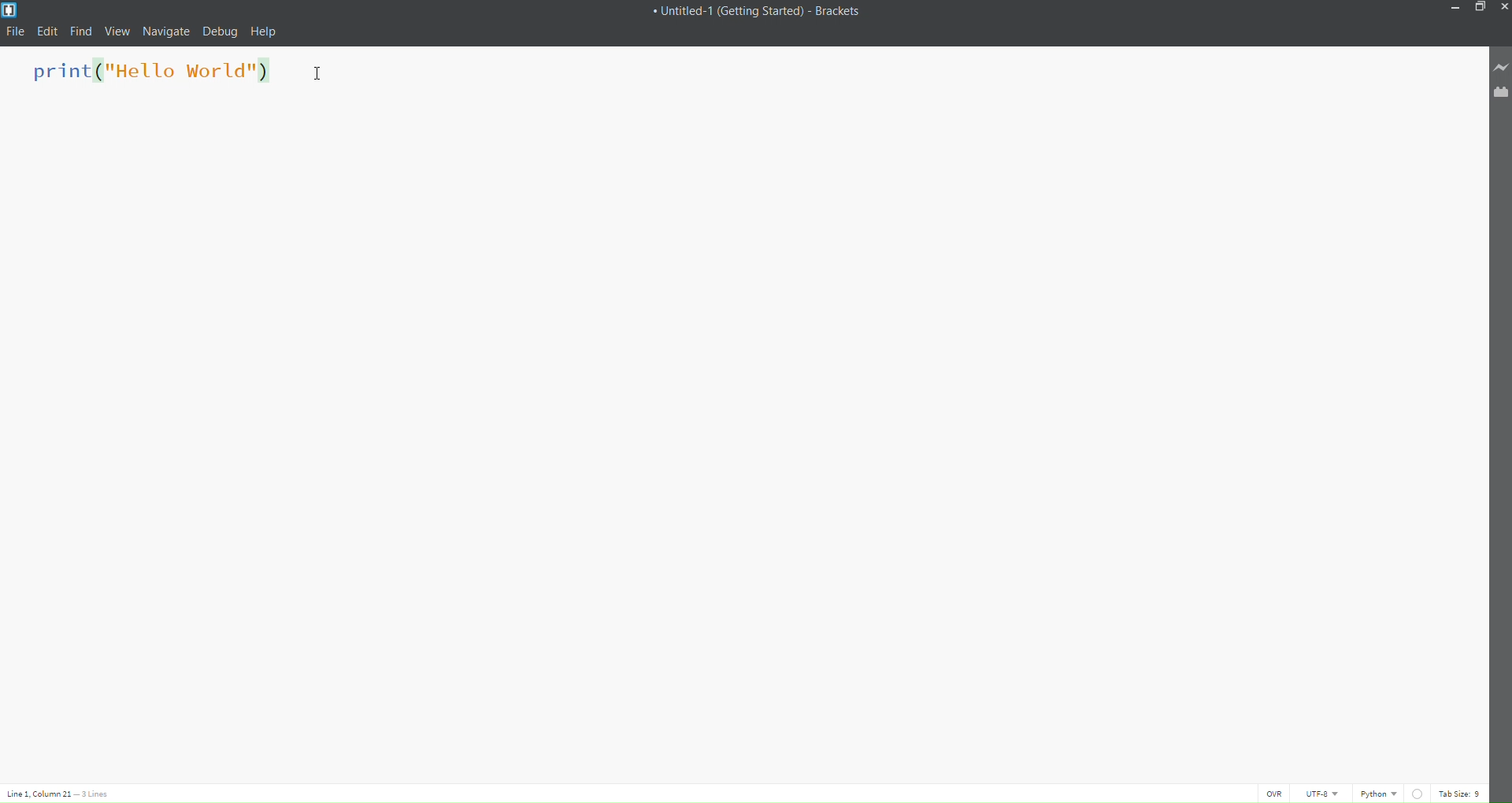 This screenshot has height=803, width=1512. What do you see at coordinates (164, 31) in the screenshot?
I see `navigate` at bounding box center [164, 31].